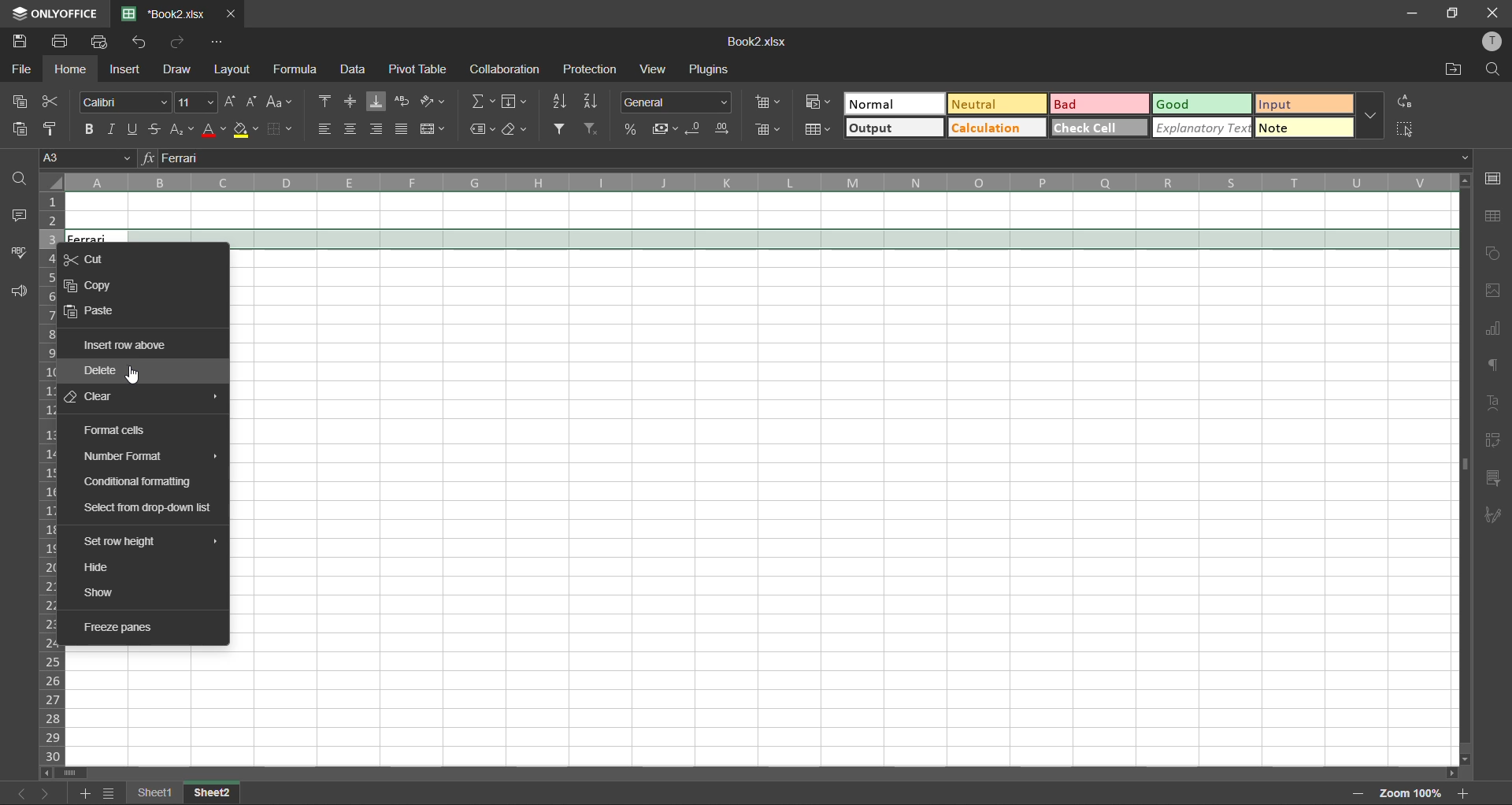 The height and width of the screenshot is (805, 1512). What do you see at coordinates (110, 793) in the screenshot?
I see `sheet list` at bounding box center [110, 793].